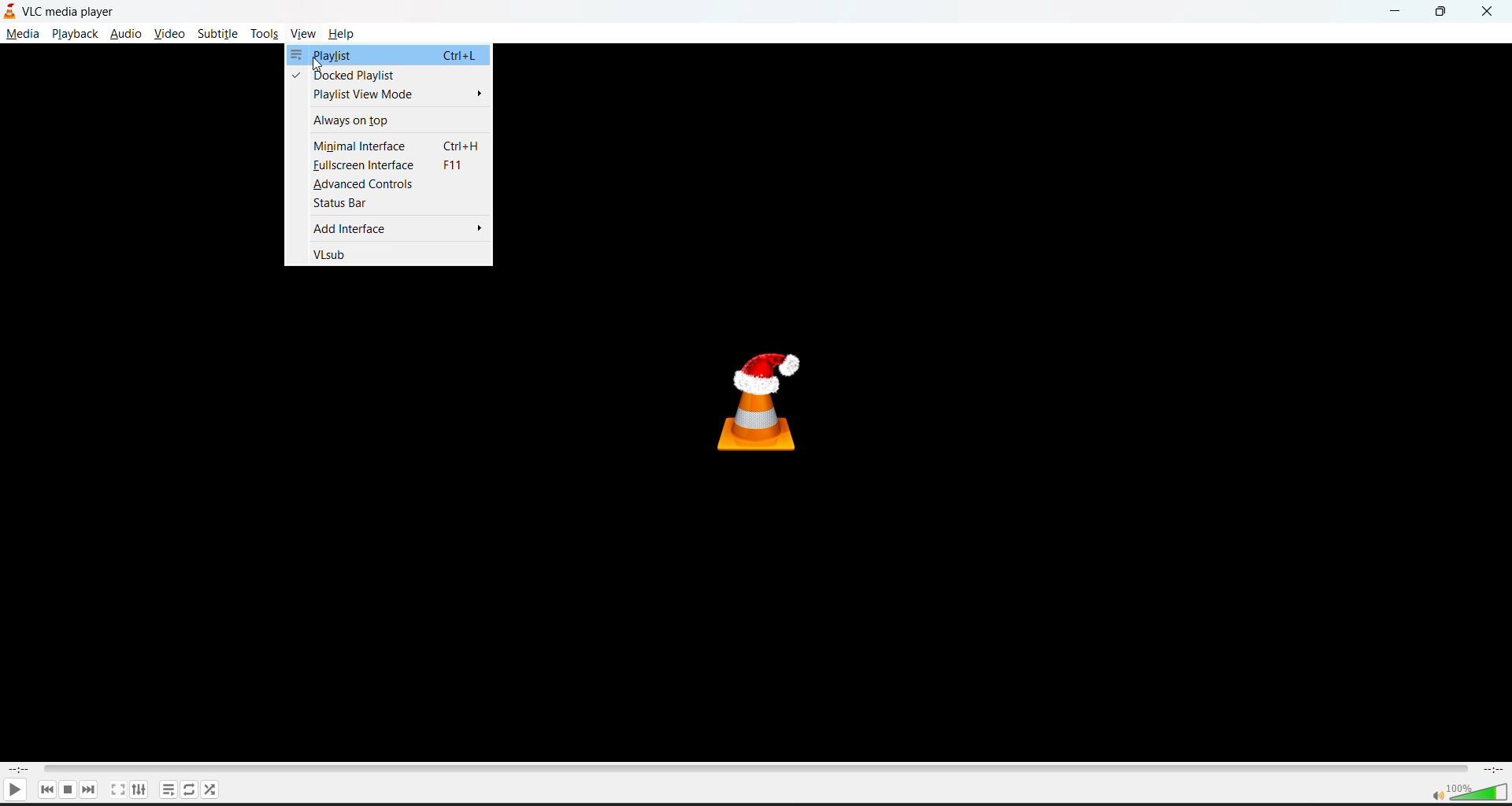 This screenshot has width=1512, height=806. I want to click on tools, so click(265, 35).